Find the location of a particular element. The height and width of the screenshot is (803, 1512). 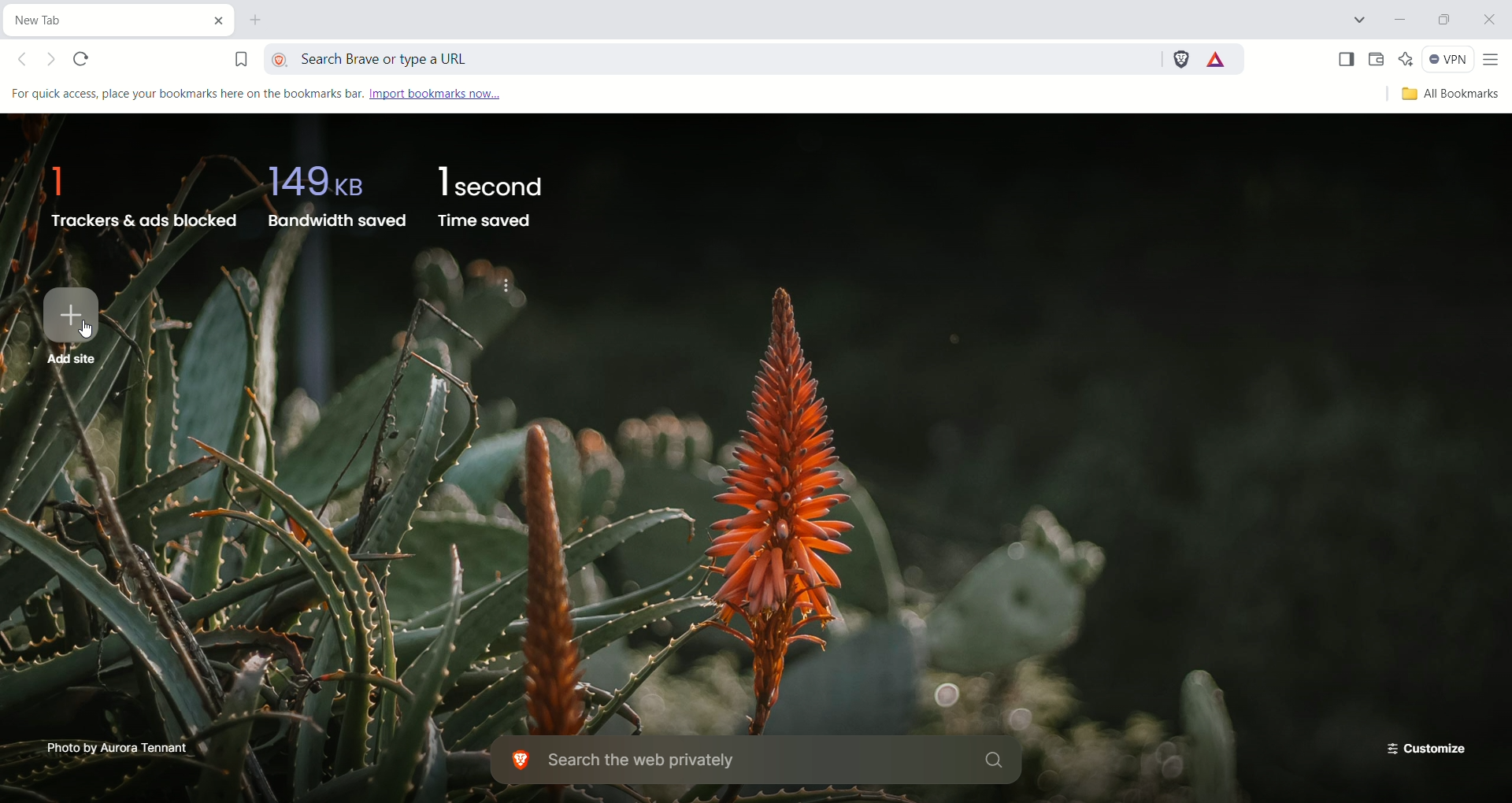

customize and control brave is located at coordinates (1494, 61).